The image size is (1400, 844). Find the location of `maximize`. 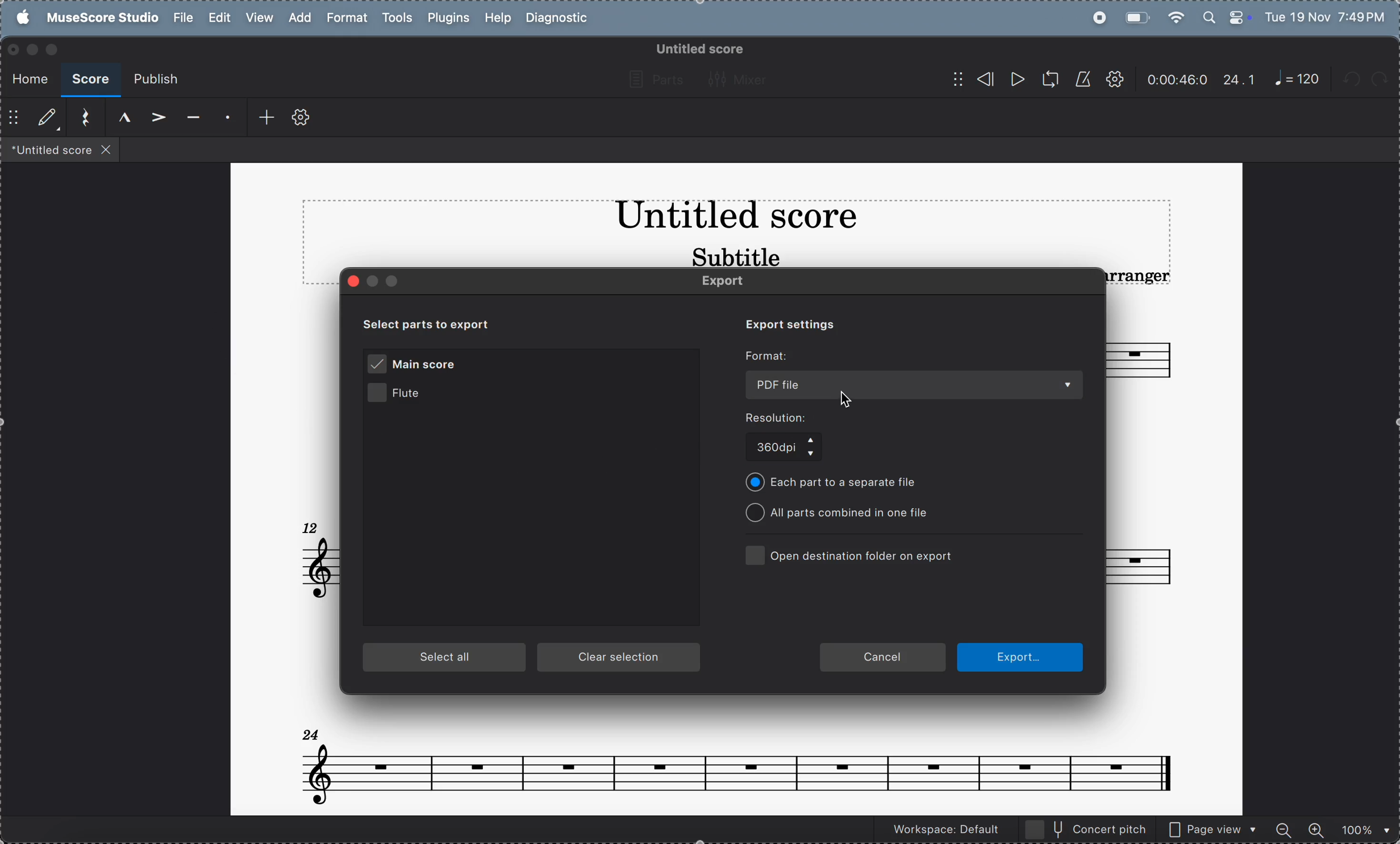

maximize is located at coordinates (55, 49).